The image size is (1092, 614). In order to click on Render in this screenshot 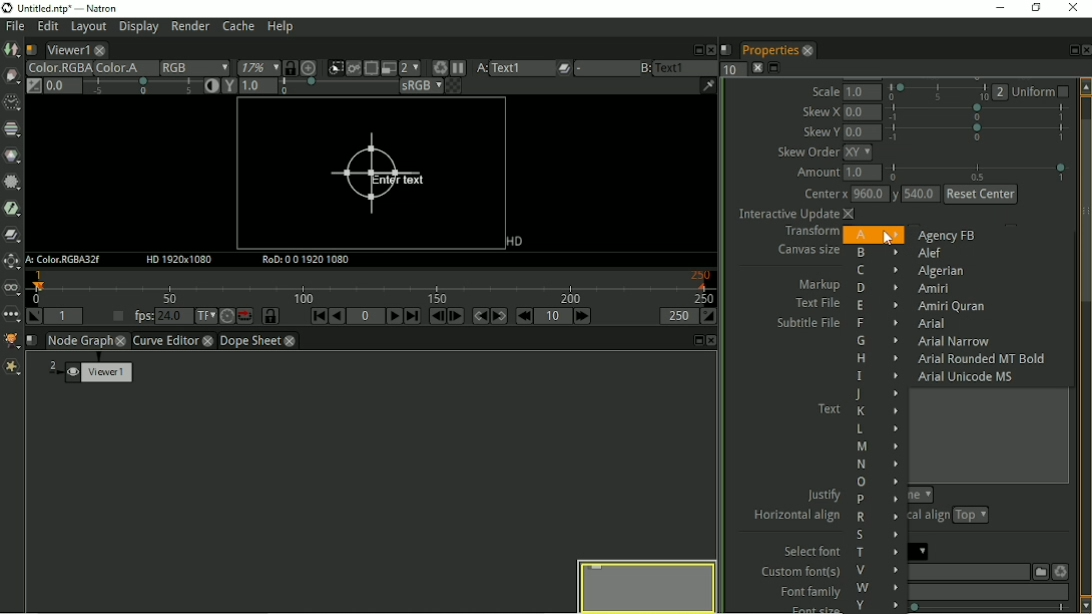, I will do `click(191, 28)`.